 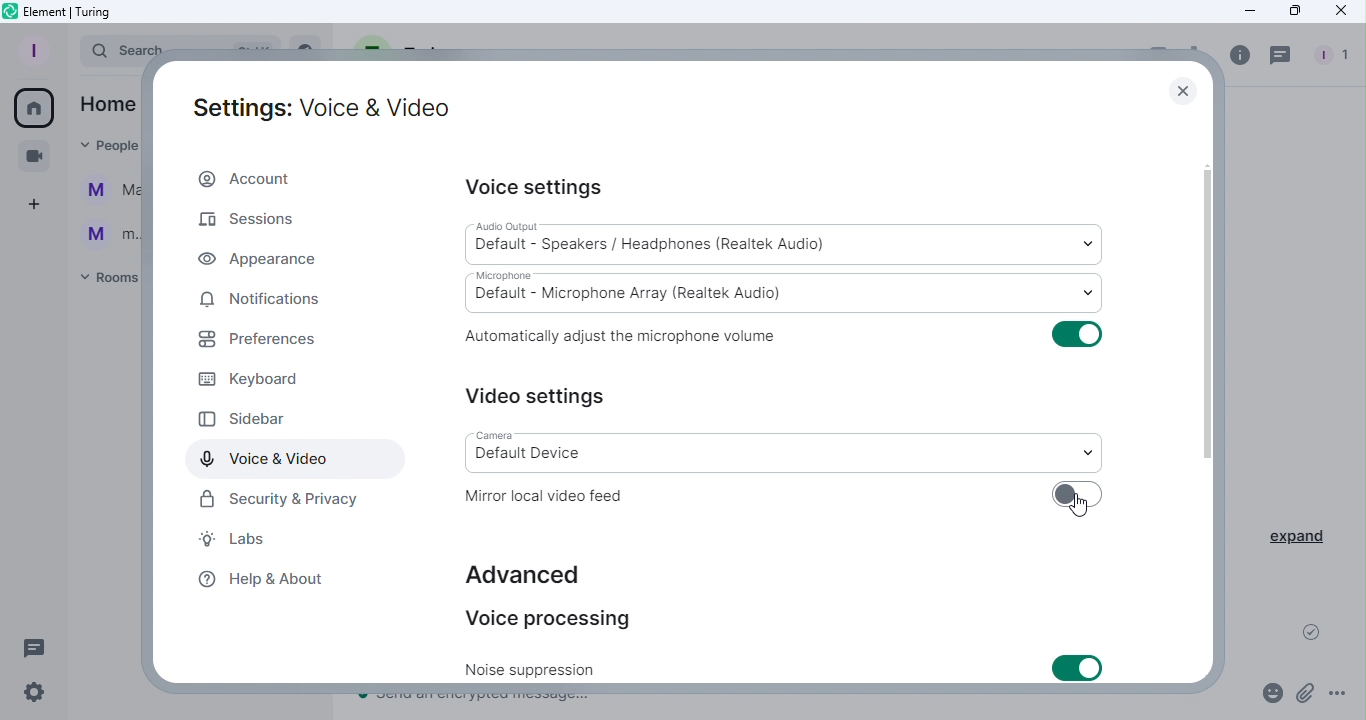 I want to click on More options, so click(x=1341, y=697).